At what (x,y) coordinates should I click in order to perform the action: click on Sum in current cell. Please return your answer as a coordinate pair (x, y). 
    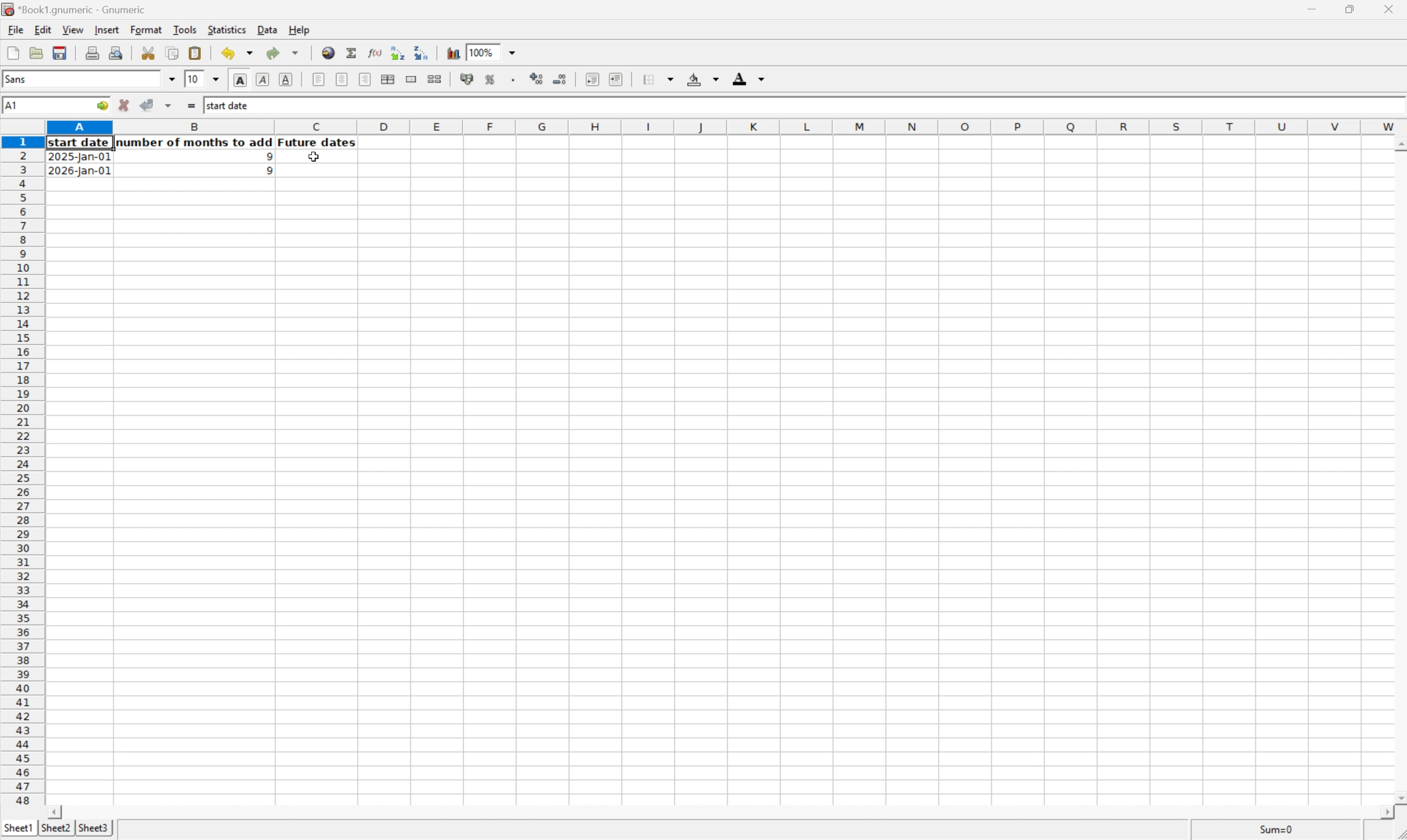
    Looking at the image, I should click on (352, 52).